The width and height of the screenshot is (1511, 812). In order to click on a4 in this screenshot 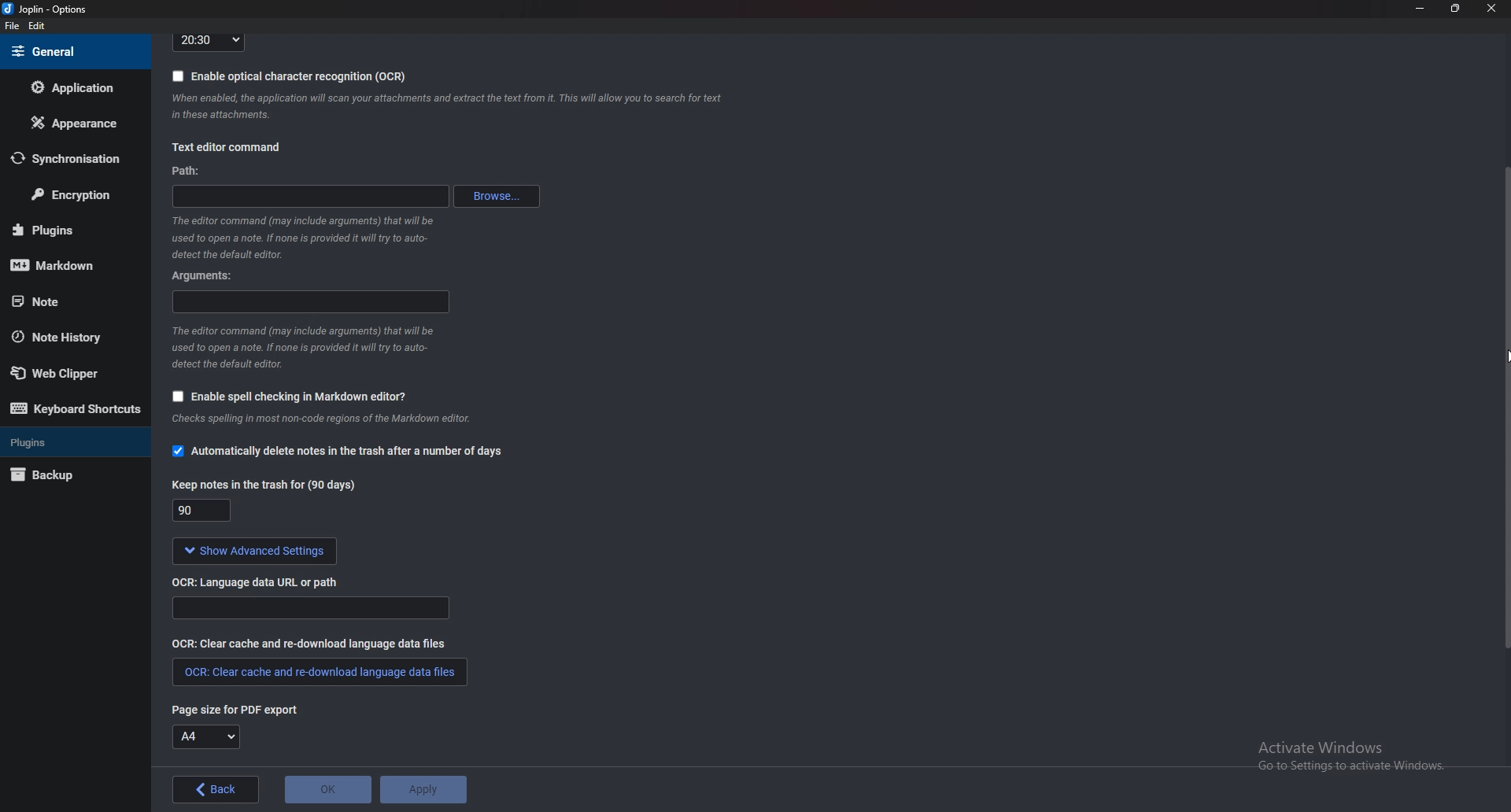, I will do `click(207, 737)`.